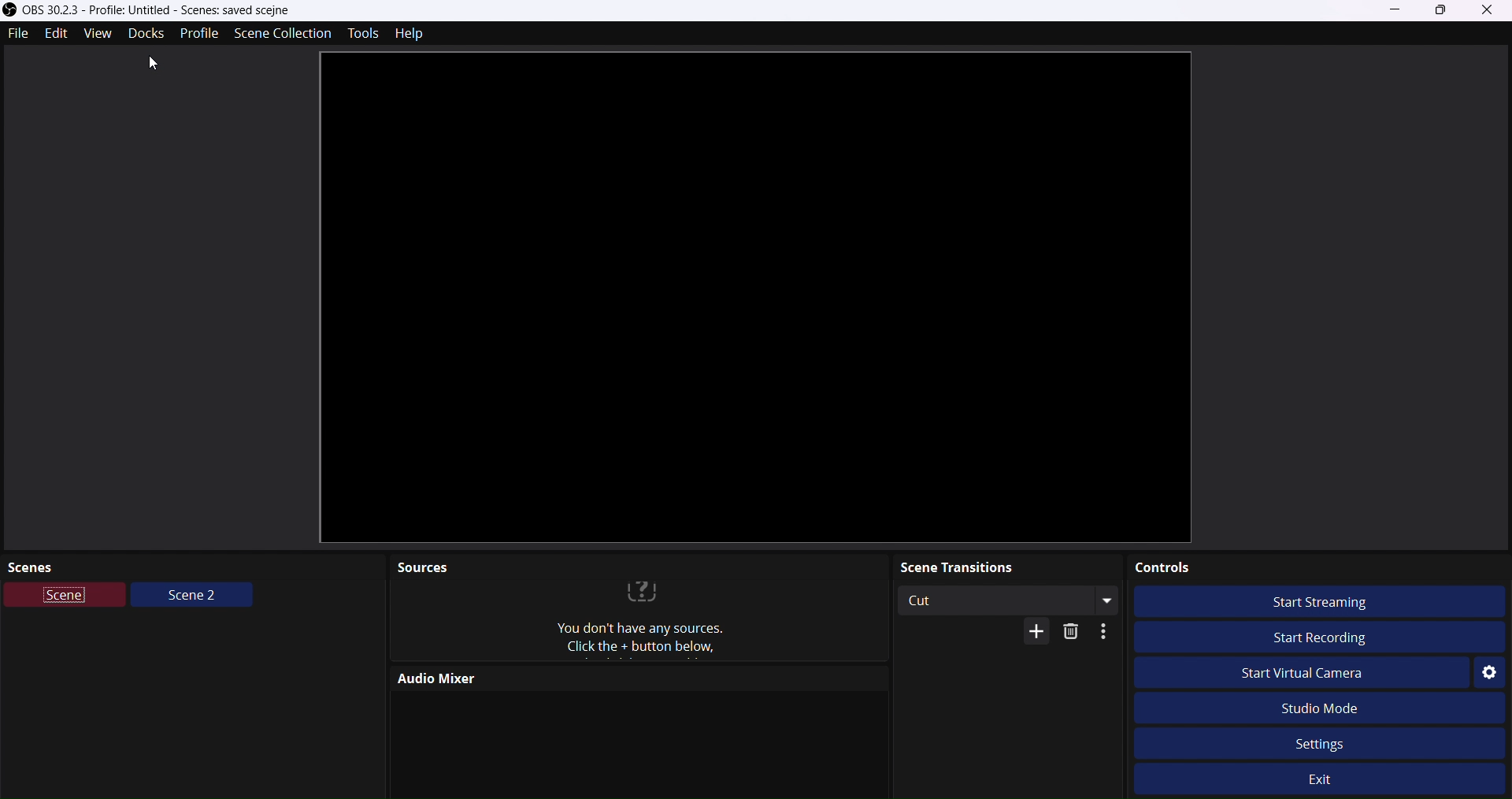 Image resolution: width=1512 pixels, height=799 pixels. What do you see at coordinates (57, 35) in the screenshot?
I see `Edit` at bounding box center [57, 35].